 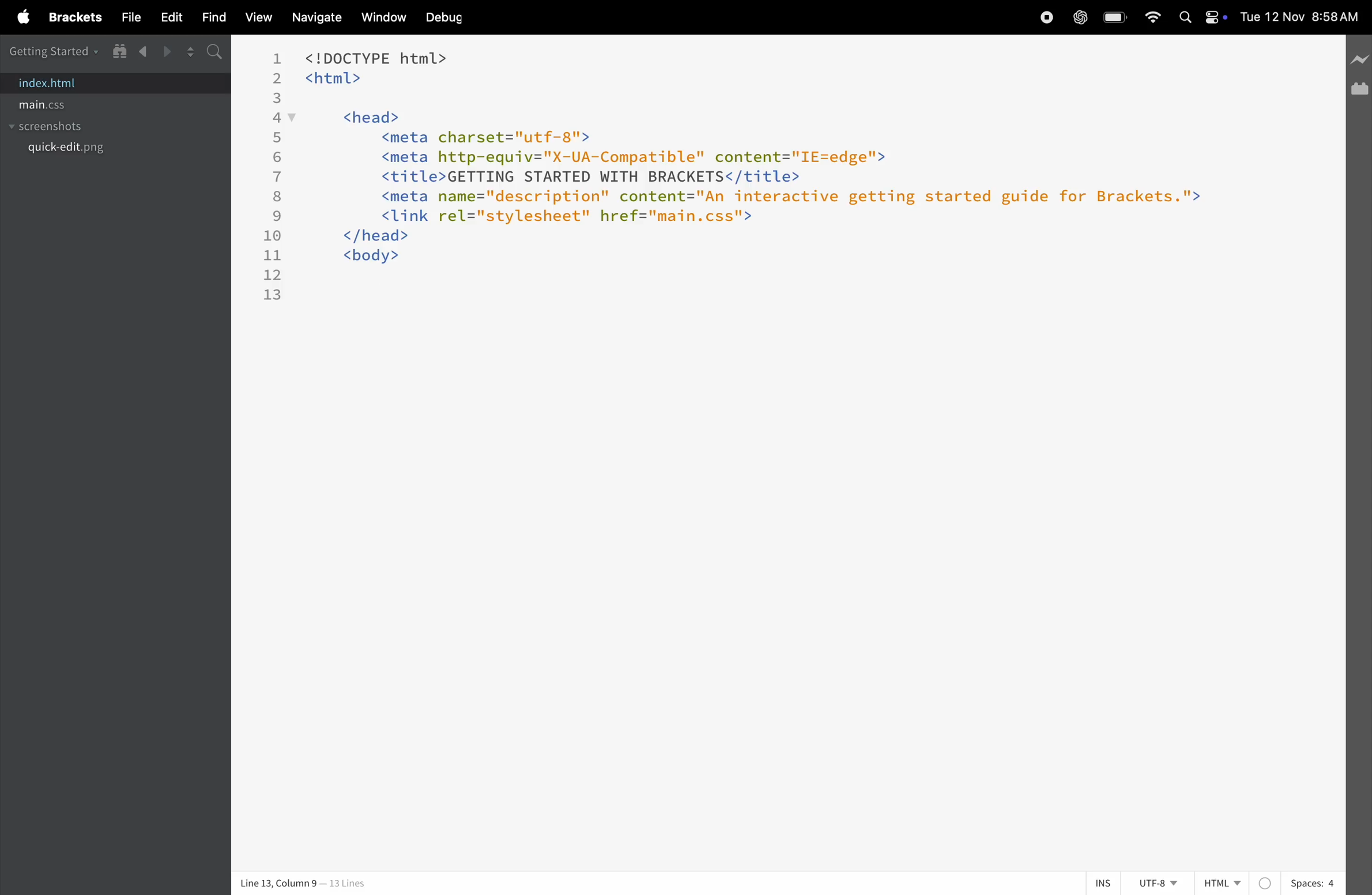 What do you see at coordinates (69, 149) in the screenshot?
I see `quick.edit.png` at bounding box center [69, 149].